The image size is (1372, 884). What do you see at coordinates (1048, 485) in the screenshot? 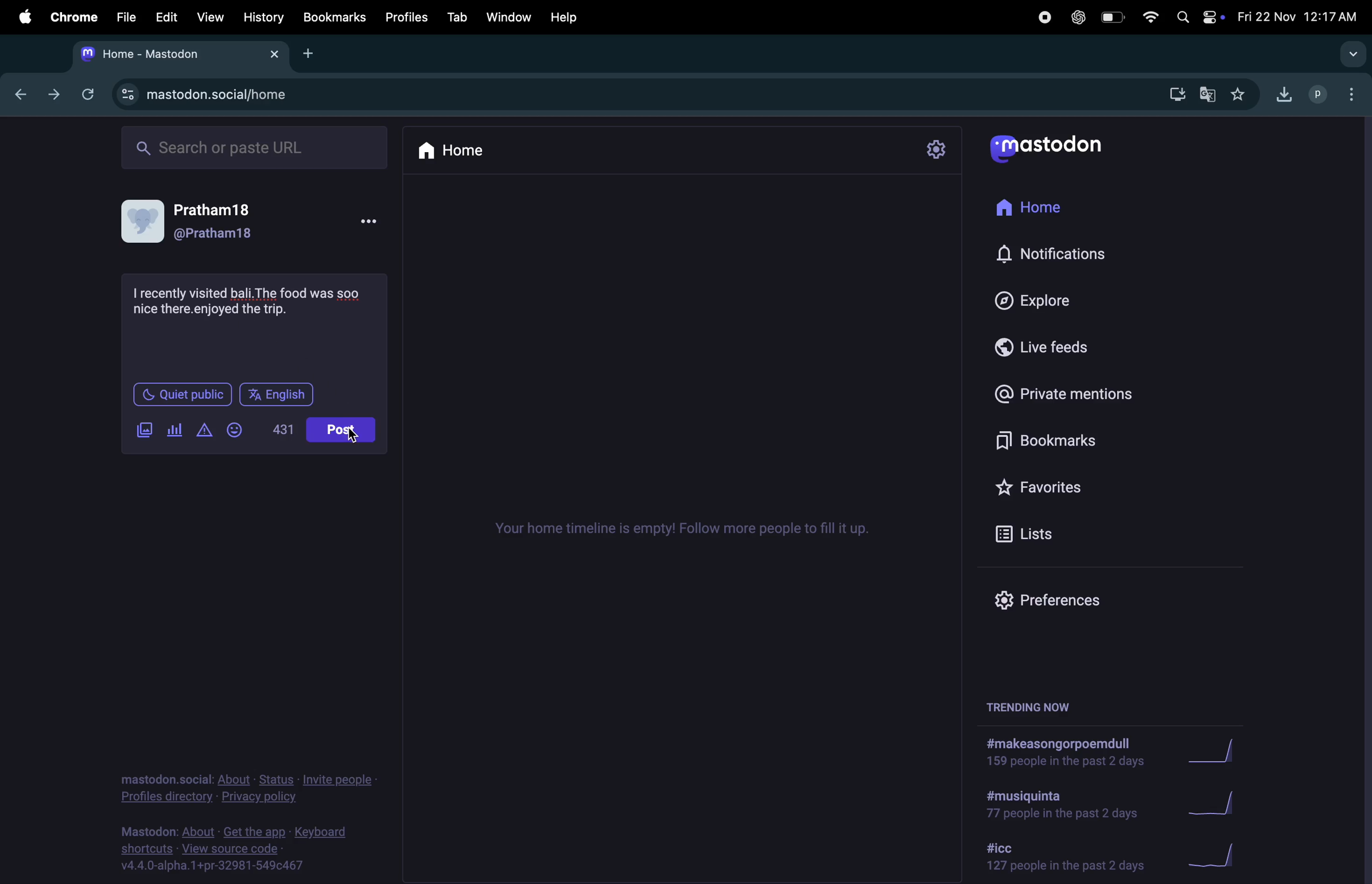
I see `favourites` at bounding box center [1048, 485].